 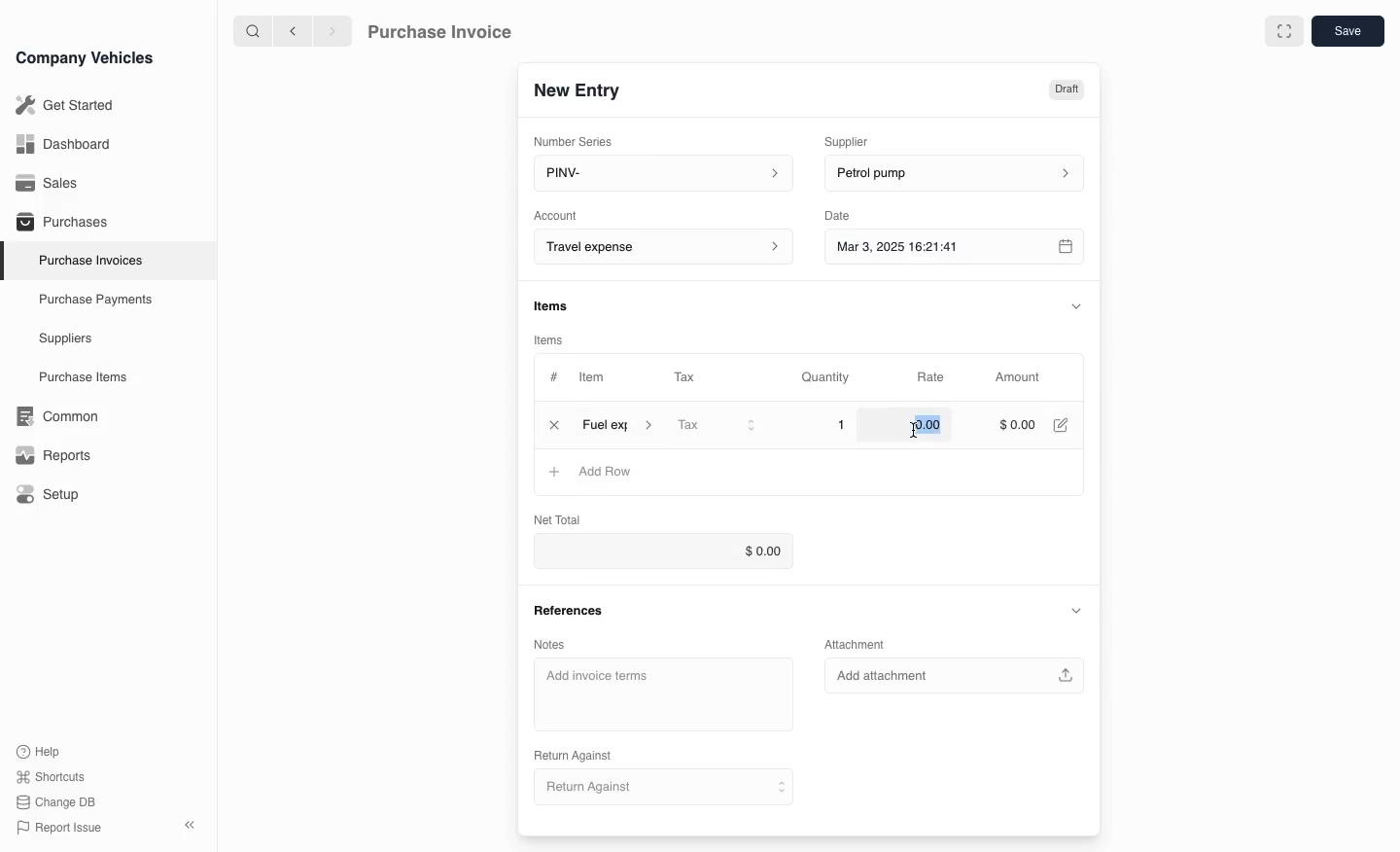 What do you see at coordinates (64, 339) in the screenshot?
I see `Suppliers` at bounding box center [64, 339].